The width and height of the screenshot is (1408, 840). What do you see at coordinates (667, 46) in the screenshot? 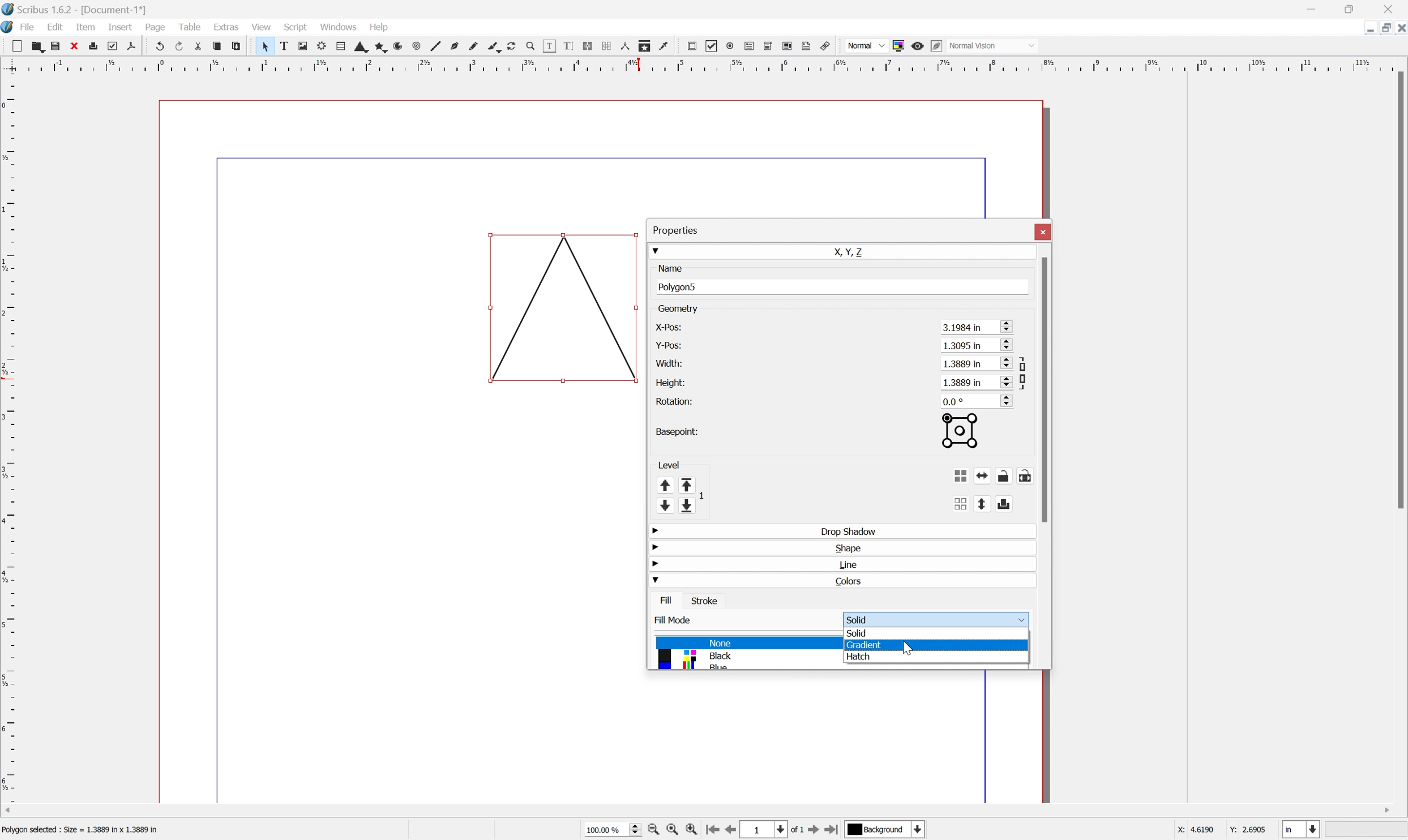
I see `Eye dropper` at bounding box center [667, 46].